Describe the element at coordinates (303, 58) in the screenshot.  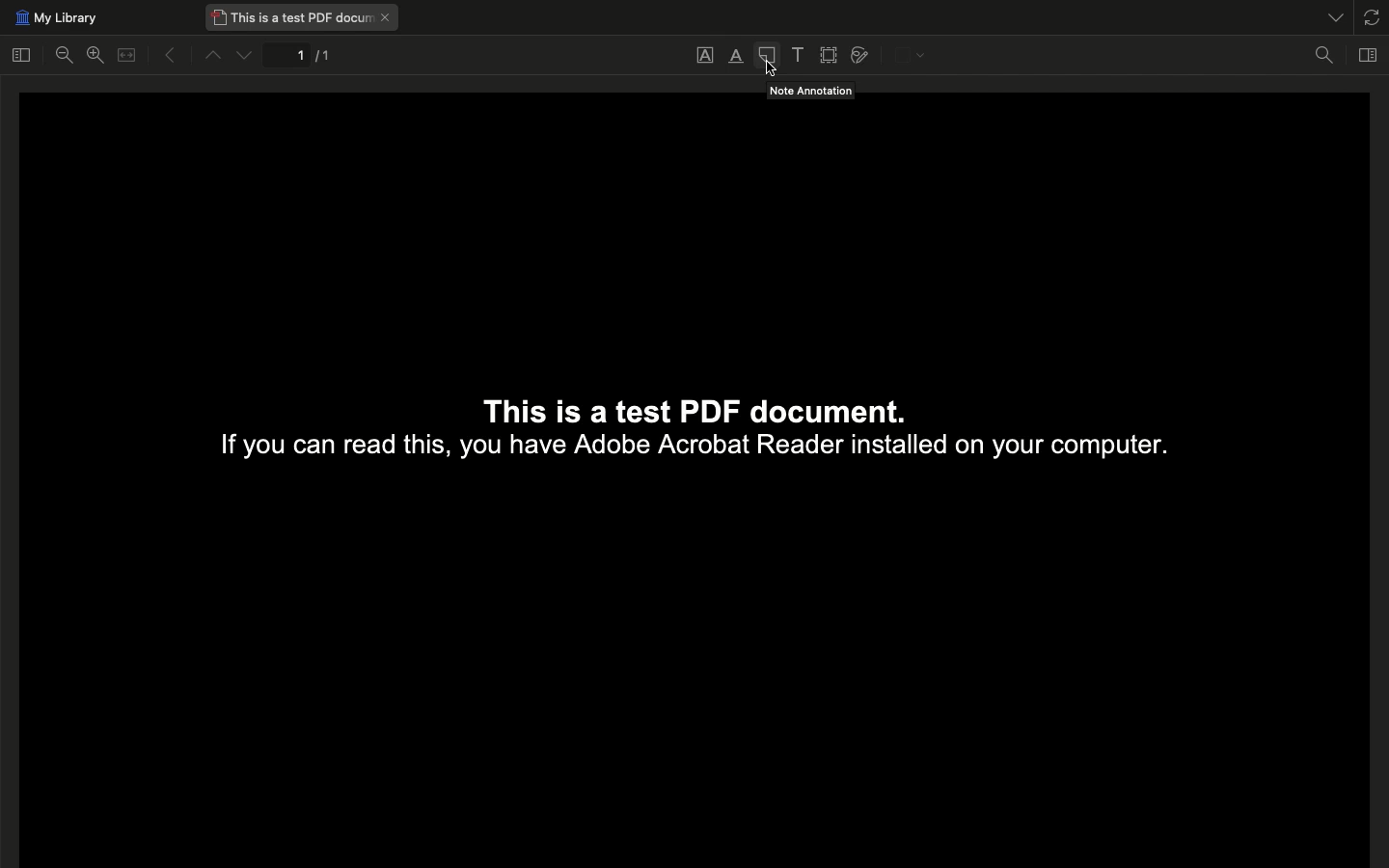
I see `1/1` at that location.